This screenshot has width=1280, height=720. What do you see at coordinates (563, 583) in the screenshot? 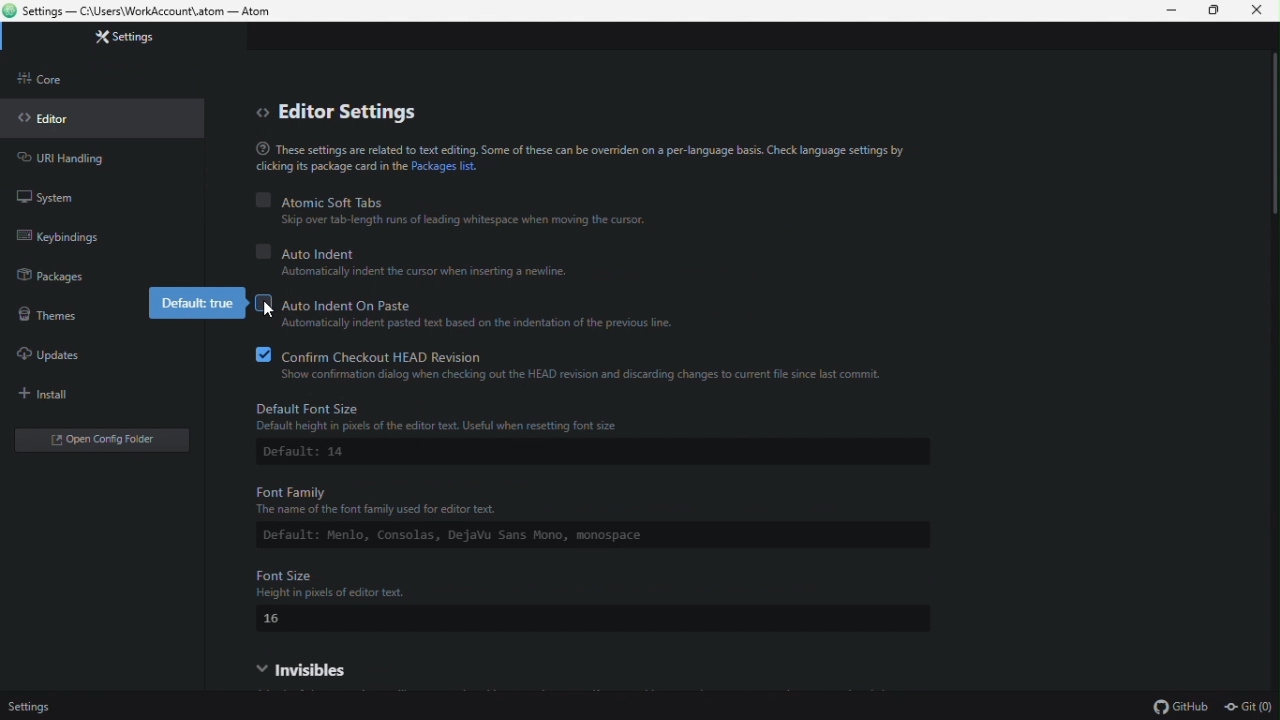
I see `Font Size
Height in pixels of editor text.` at bounding box center [563, 583].